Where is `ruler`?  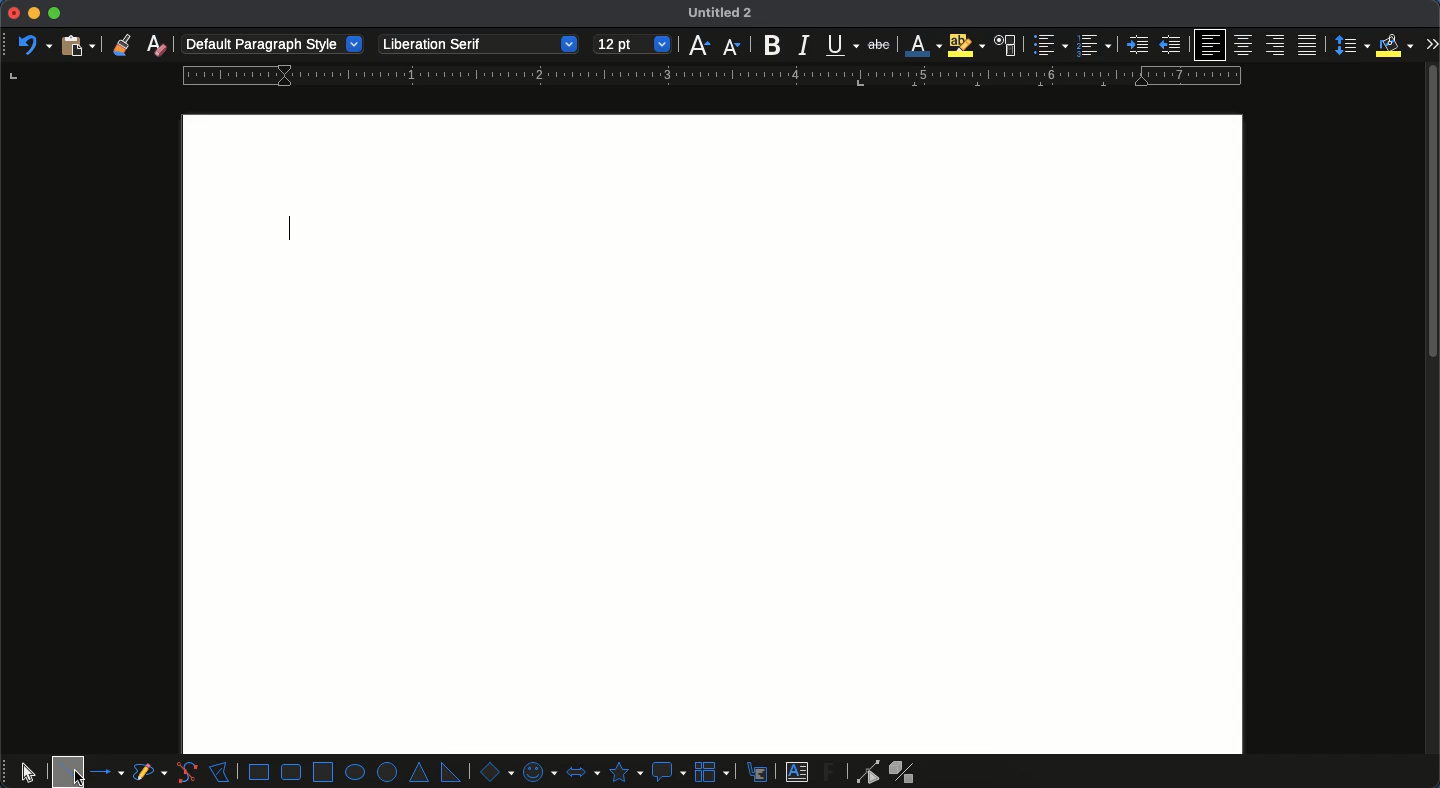
ruler is located at coordinates (707, 76).